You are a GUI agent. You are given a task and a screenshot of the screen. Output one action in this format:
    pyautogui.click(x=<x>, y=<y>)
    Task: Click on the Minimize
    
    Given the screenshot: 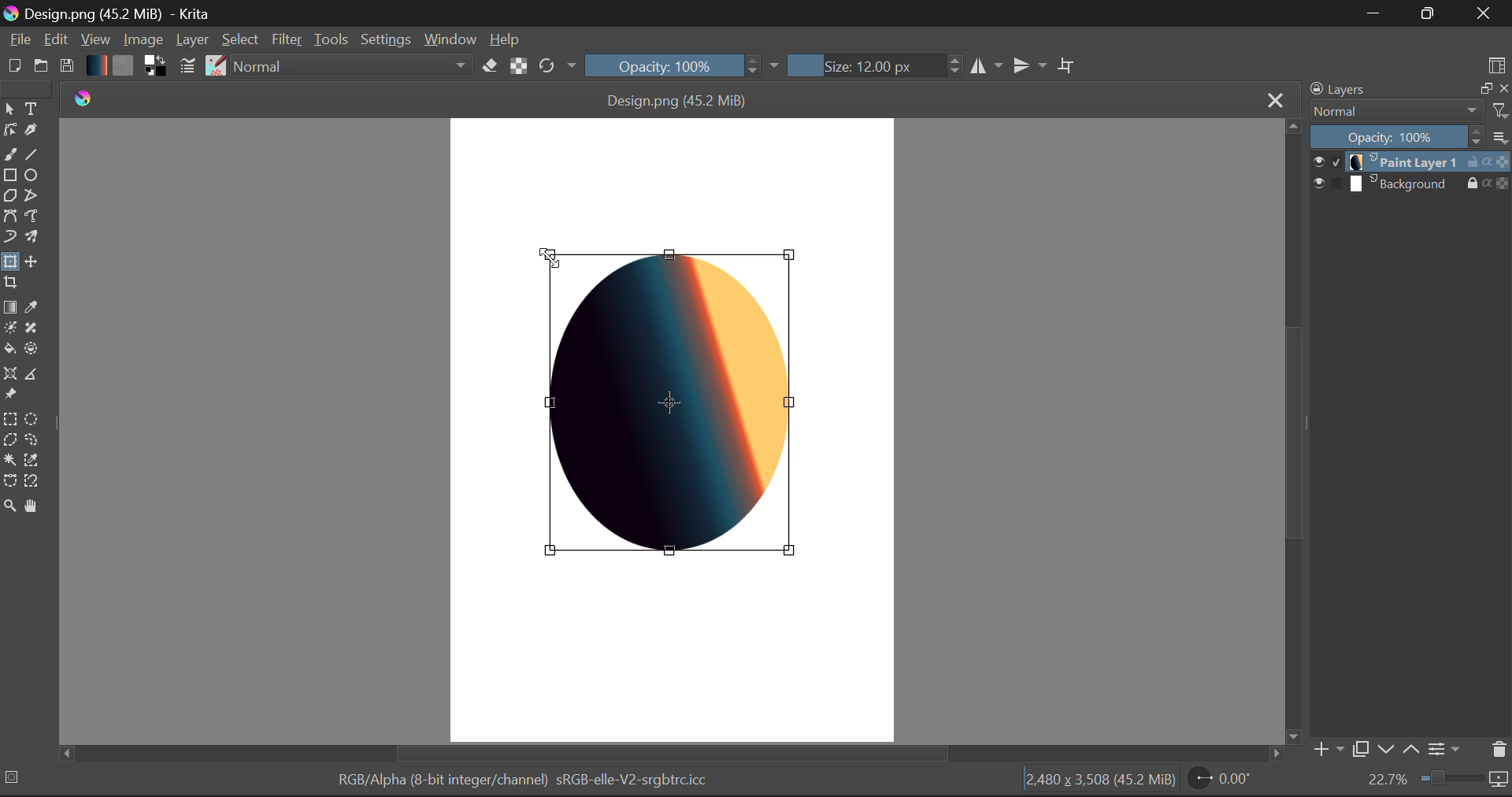 What is the action you would take?
    pyautogui.click(x=1431, y=14)
    